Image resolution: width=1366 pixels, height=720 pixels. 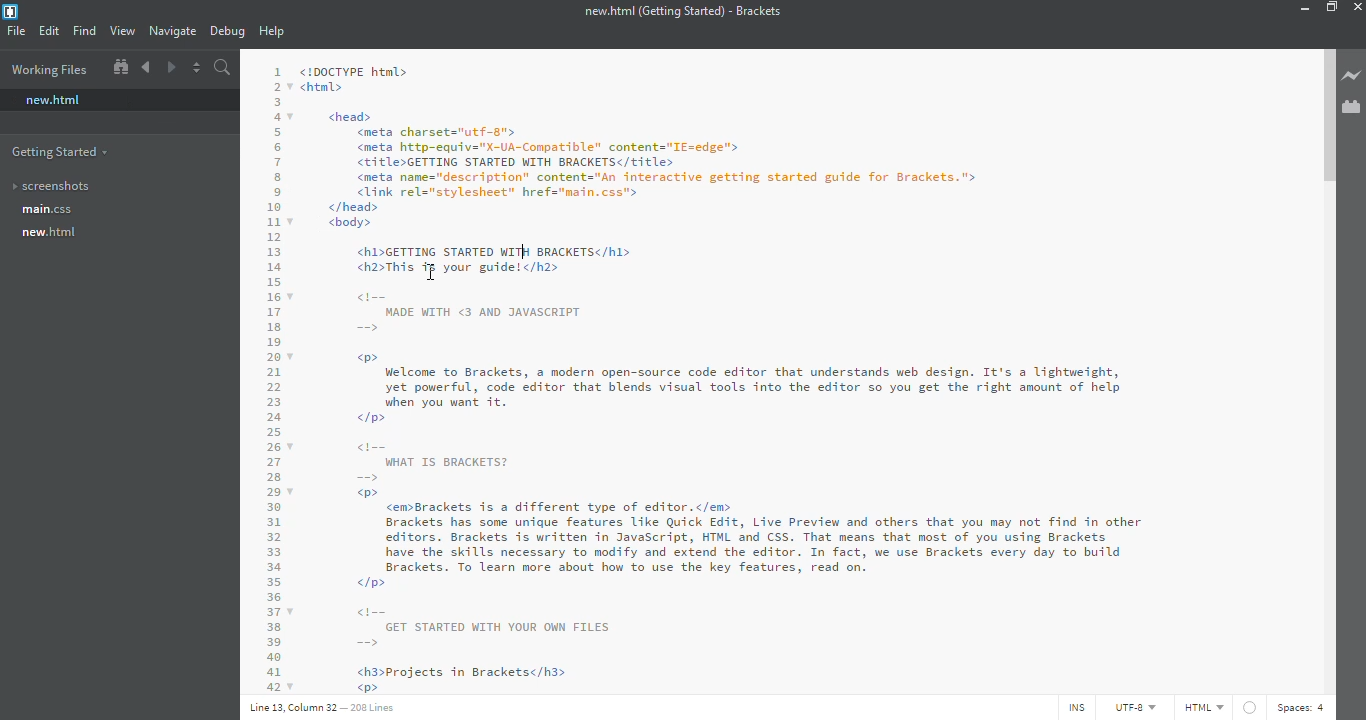 I want to click on next, so click(x=170, y=67).